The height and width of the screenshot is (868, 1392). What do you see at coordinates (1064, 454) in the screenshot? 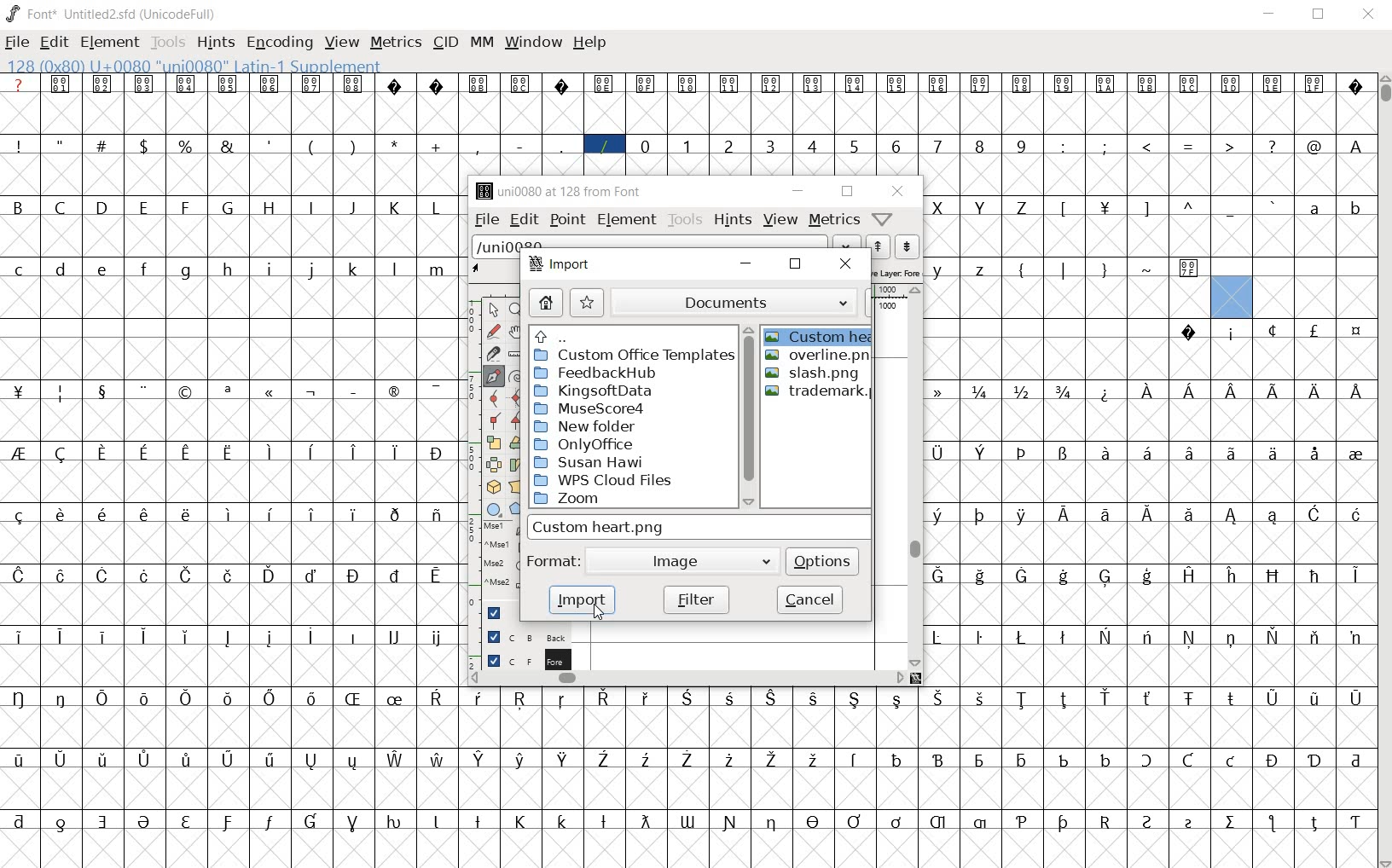
I see `glyph` at bounding box center [1064, 454].